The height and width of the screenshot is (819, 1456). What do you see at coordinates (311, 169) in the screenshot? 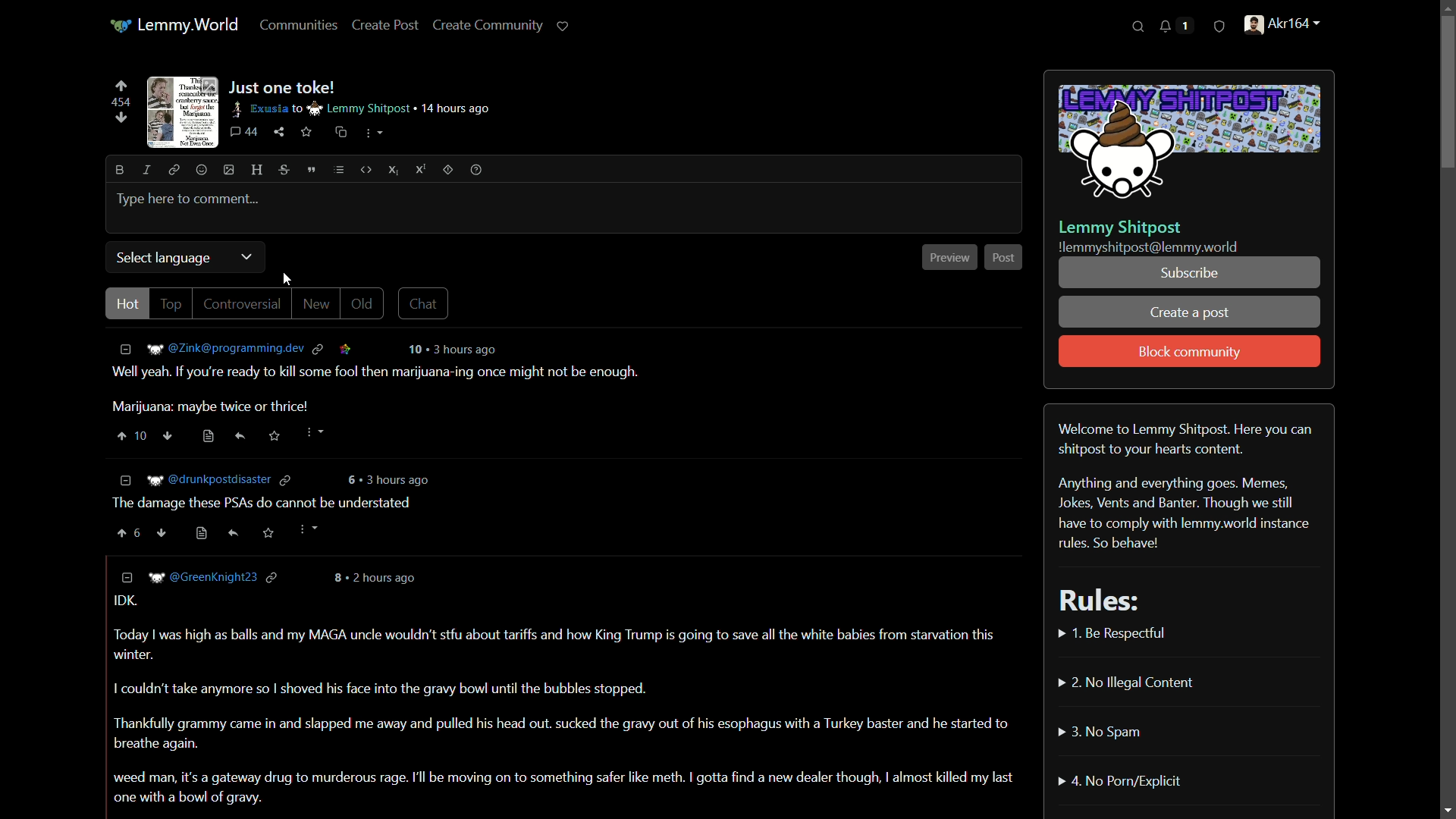
I see `quote` at bounding box center [311, 169].